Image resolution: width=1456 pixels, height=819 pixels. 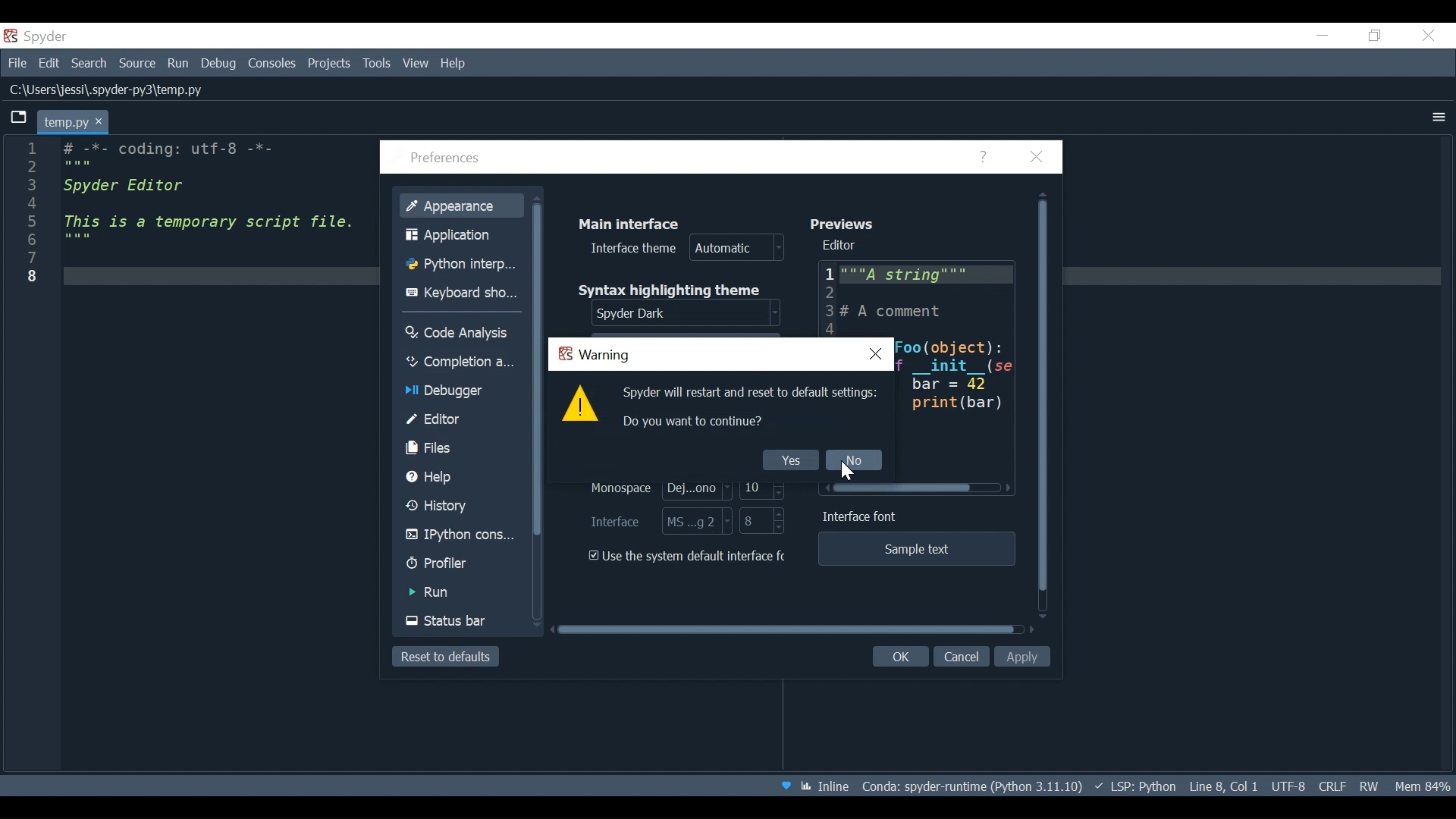 I want to click on Restore, so click(x=1376, y=36).